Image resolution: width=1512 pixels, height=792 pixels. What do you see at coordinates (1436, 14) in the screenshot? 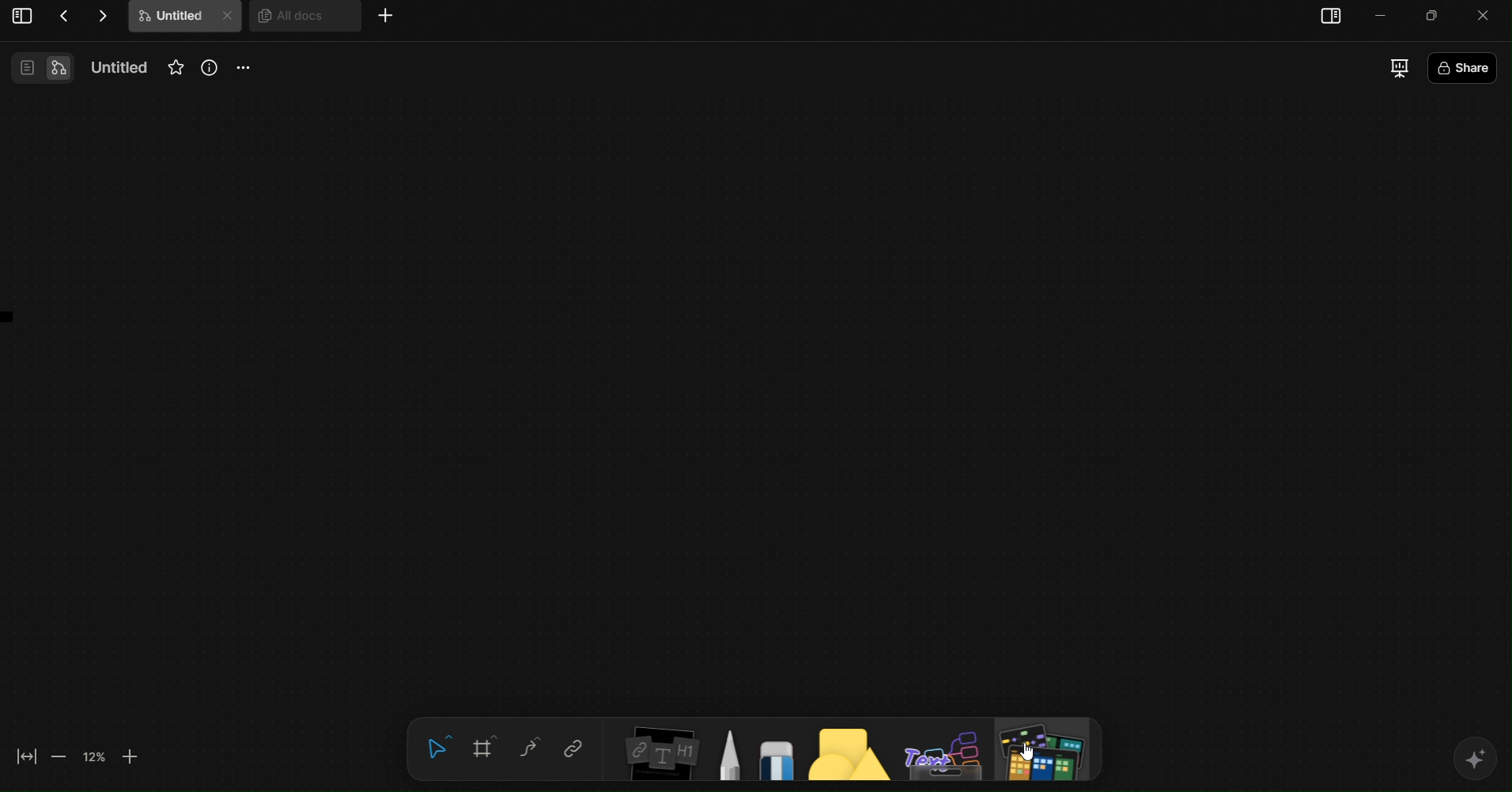
I see `Minimize` at bounding box center [1436, 14].